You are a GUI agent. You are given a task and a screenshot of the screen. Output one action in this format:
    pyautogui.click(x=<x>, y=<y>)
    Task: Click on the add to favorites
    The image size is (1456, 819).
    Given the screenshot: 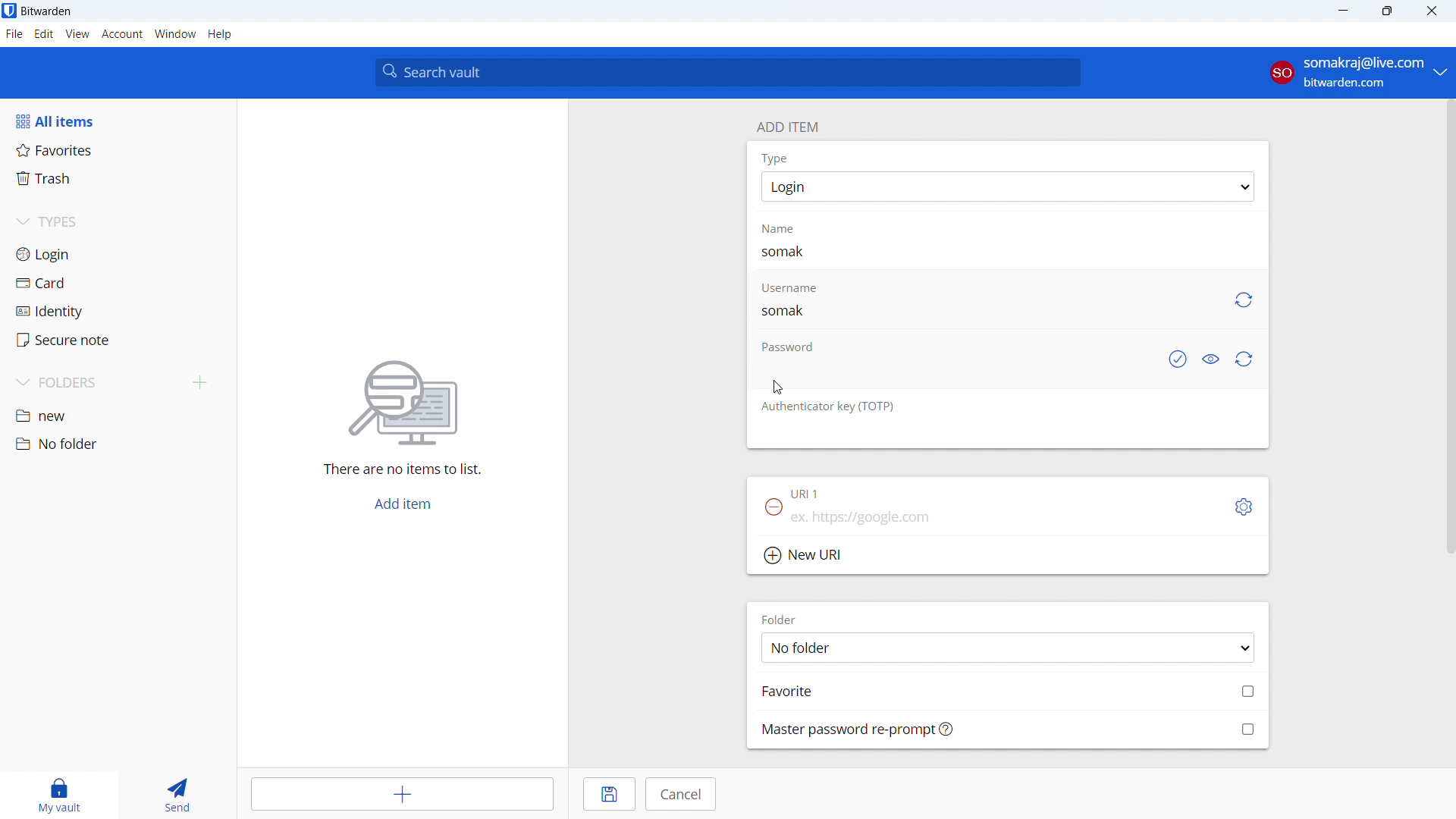 What is the action you would take?
    pyautogui.click(x=1009, y=690)
    